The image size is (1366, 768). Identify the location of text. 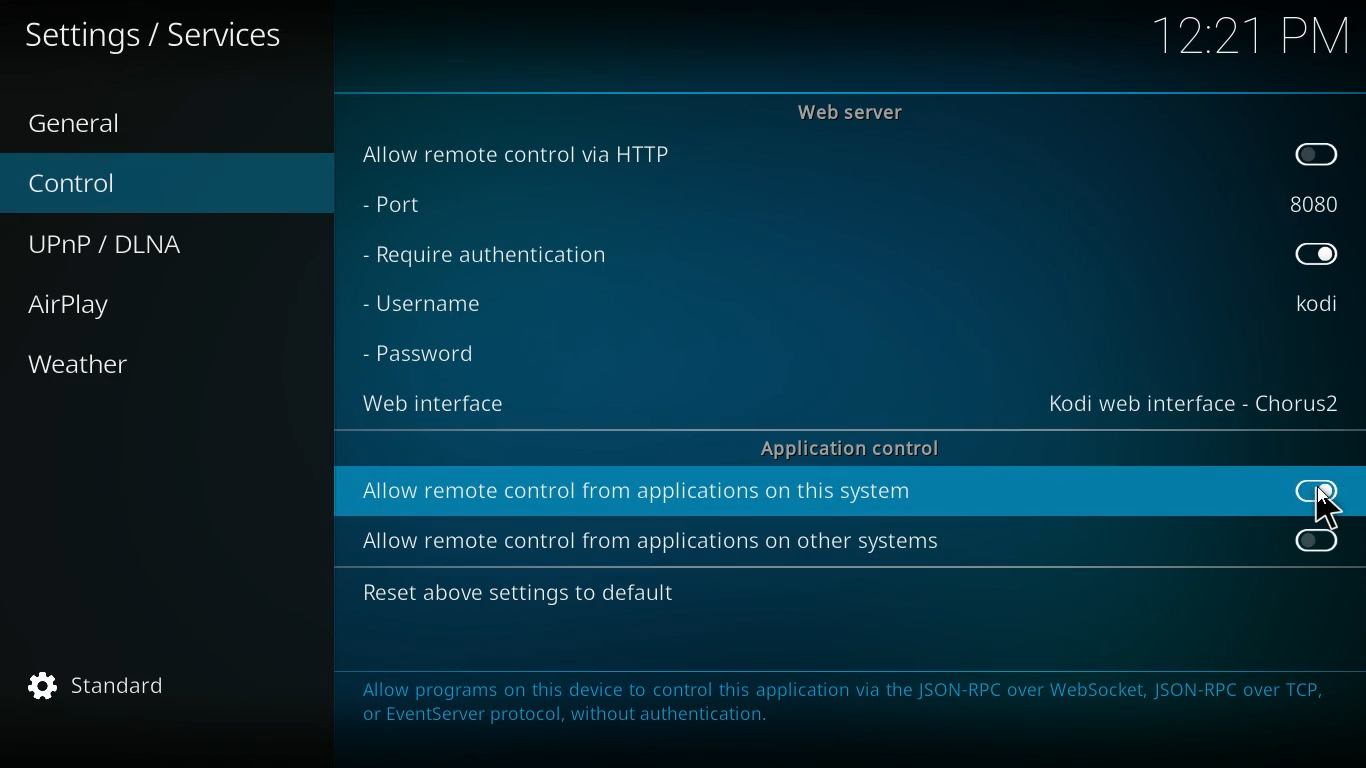
(173, 35).